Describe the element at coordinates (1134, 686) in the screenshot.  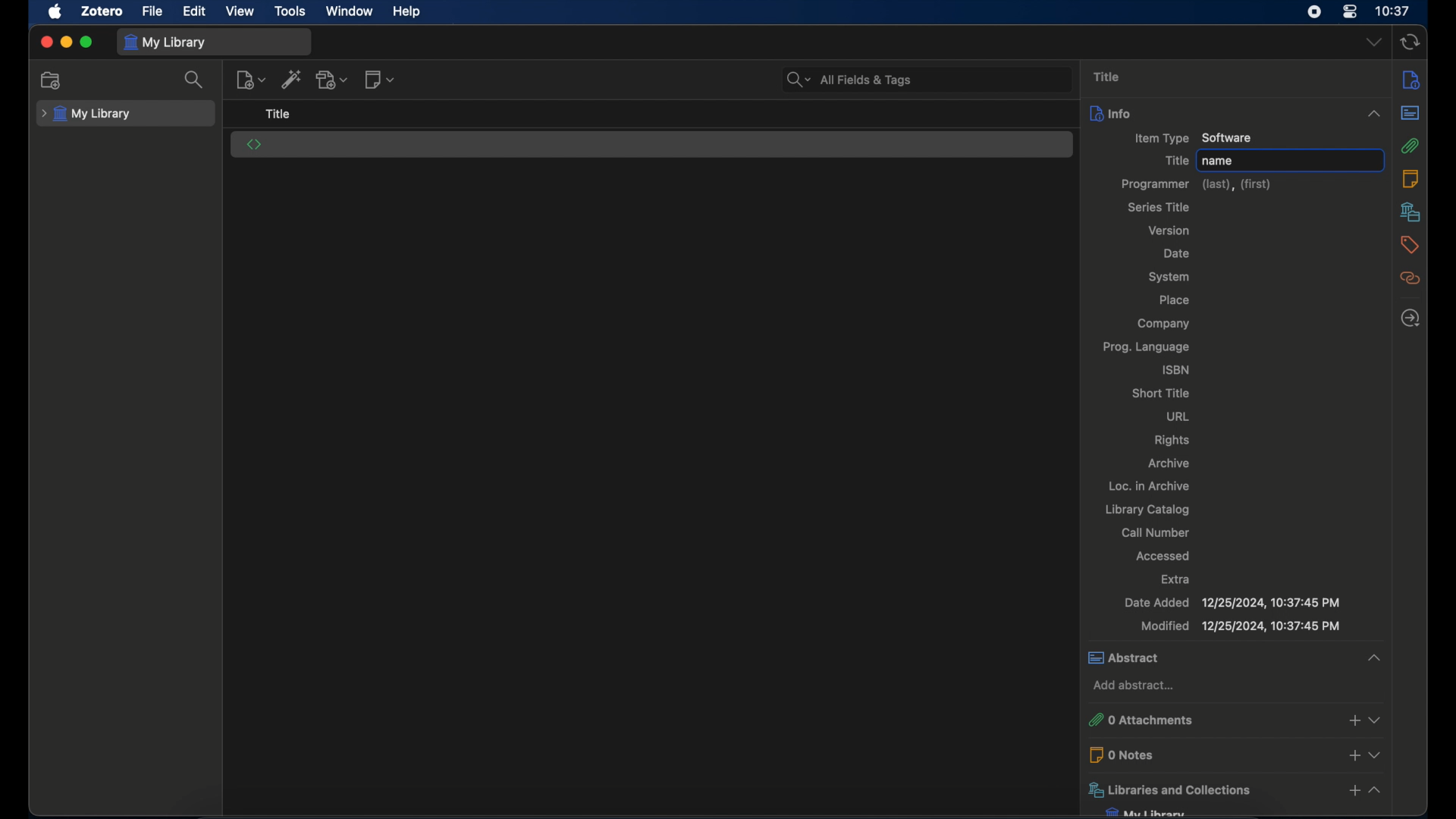
I see `add abstract` at that location.